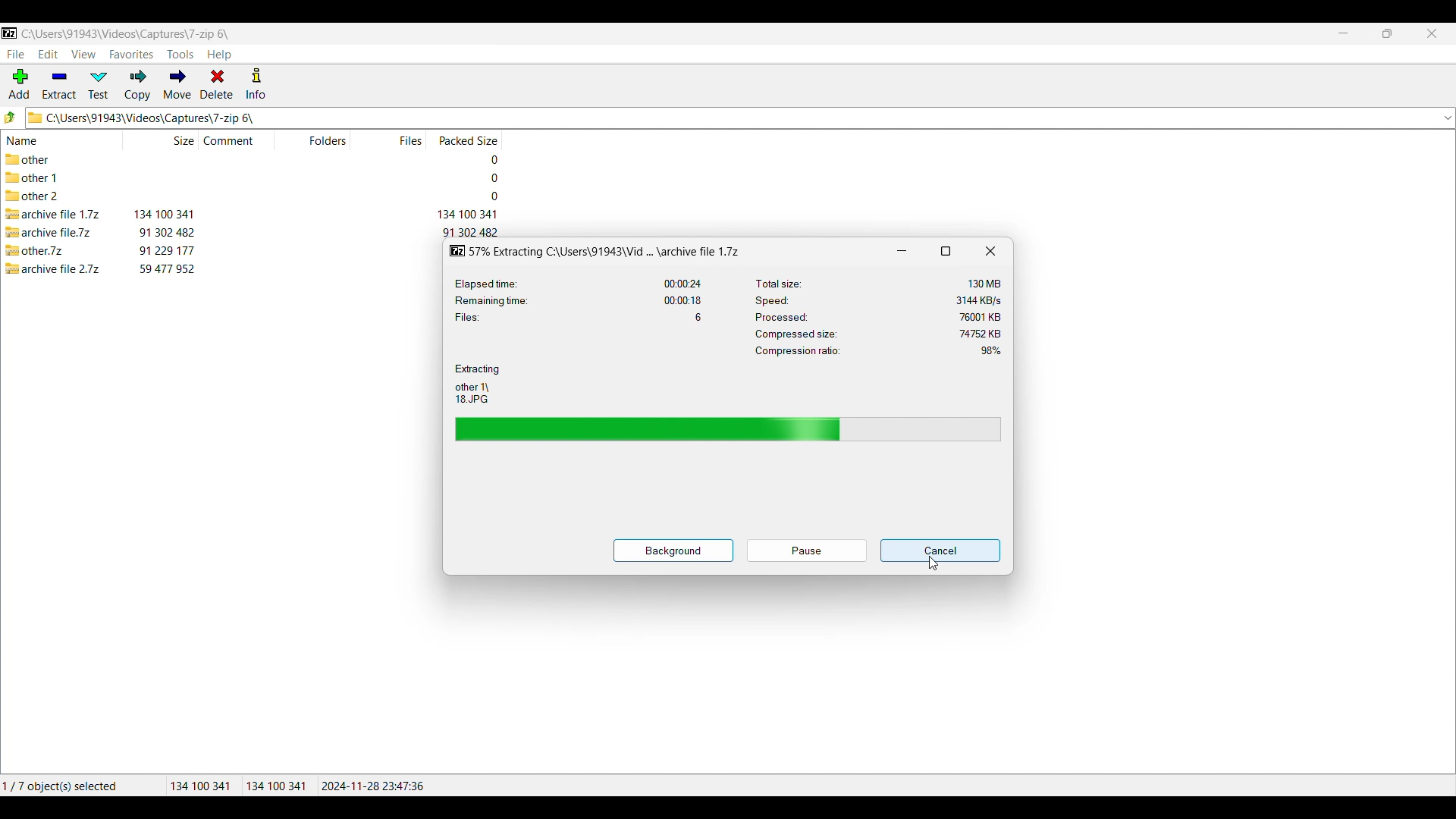 This screenshot has height=819, width=1456. What do you see at coordinates (39, 178) in the screenshot?
I see `other 1 ` at bounding box center [39, 178].